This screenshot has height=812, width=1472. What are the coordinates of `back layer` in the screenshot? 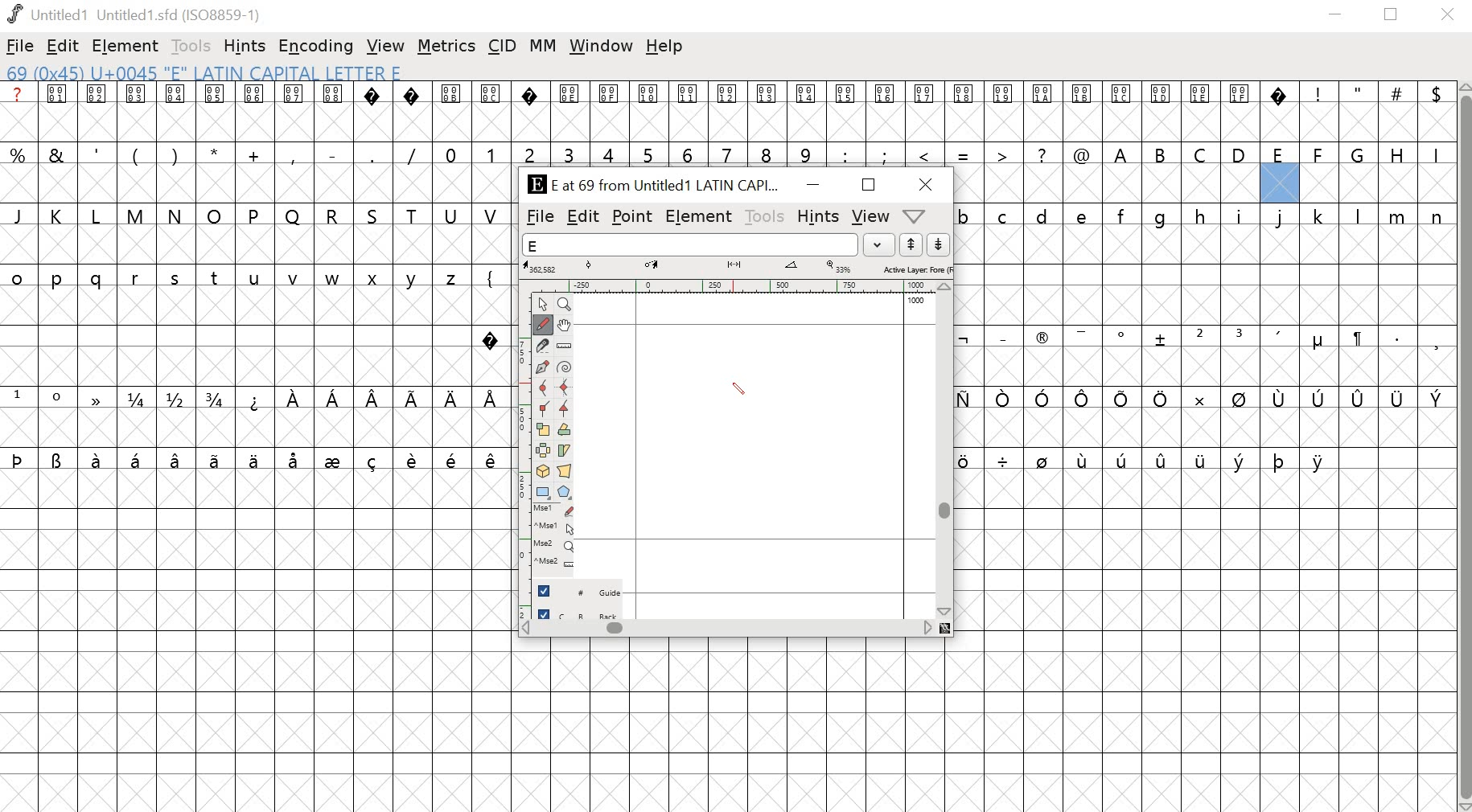 It's located at (578, 615).